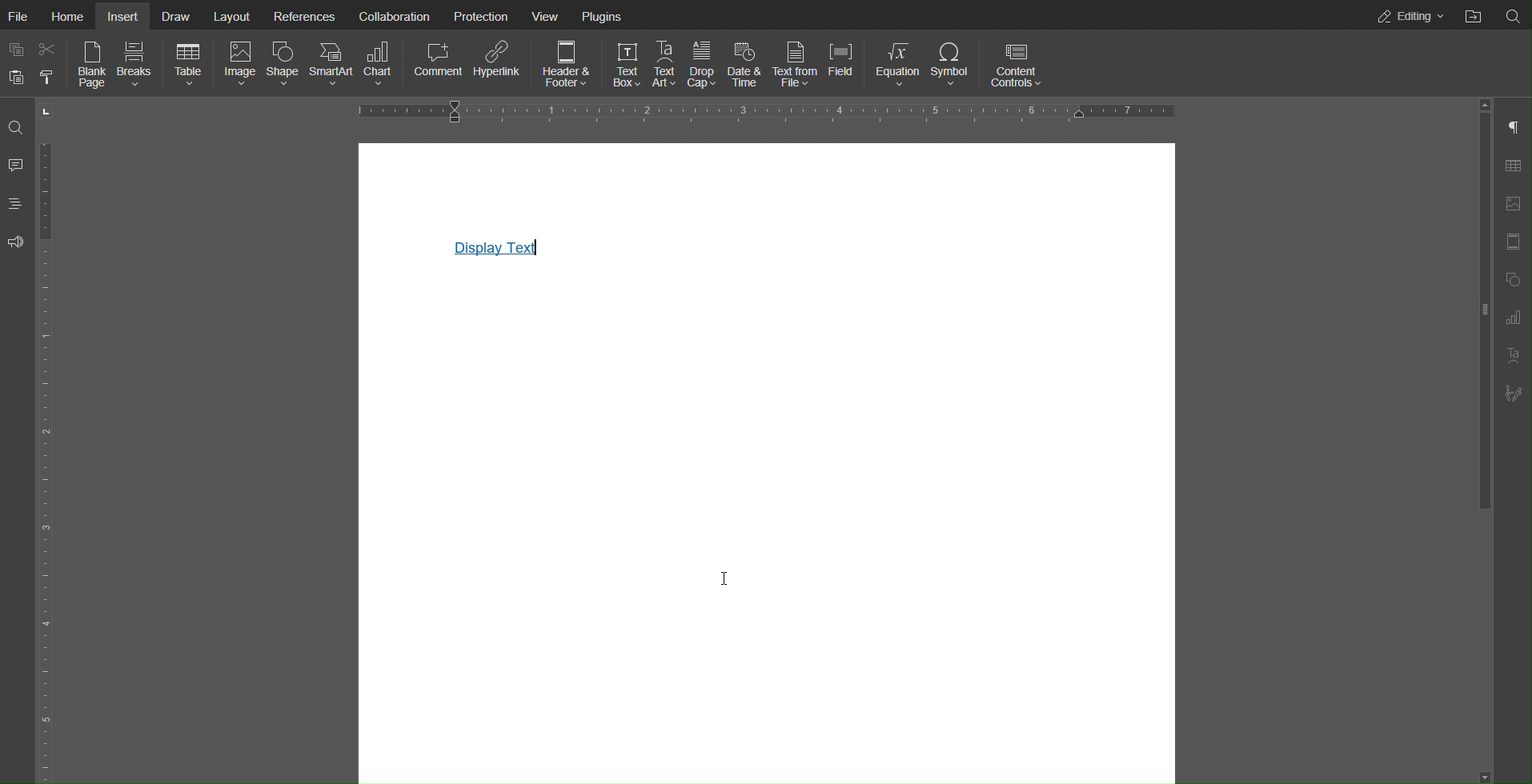  I want to click on Vertical Ruler, so click(51, 460).